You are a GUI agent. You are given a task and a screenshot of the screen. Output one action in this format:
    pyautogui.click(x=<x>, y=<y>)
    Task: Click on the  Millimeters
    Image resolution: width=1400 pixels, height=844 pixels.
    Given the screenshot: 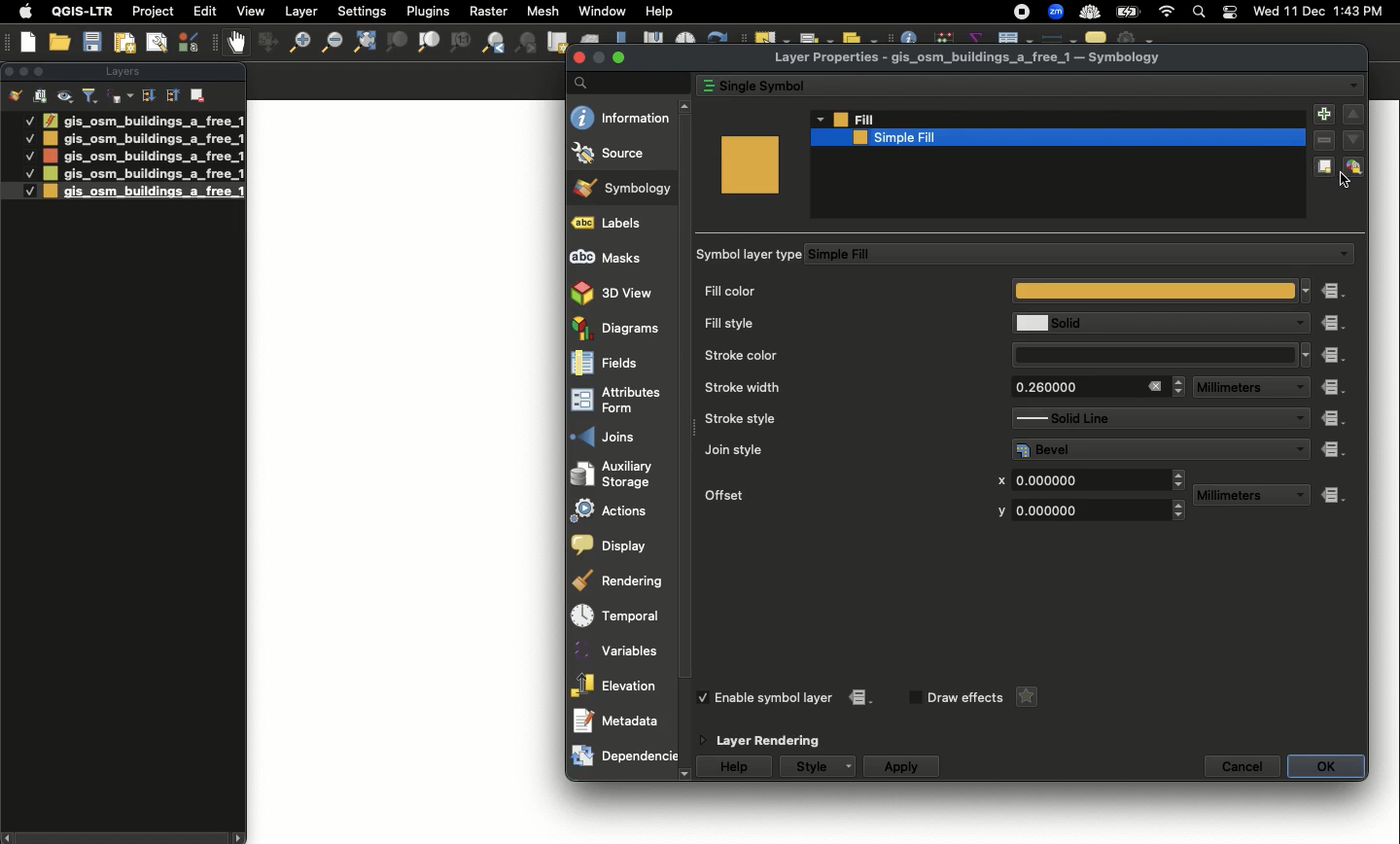 What is the action you would take?
    pyautogui.click(x=1232, y=388)
    